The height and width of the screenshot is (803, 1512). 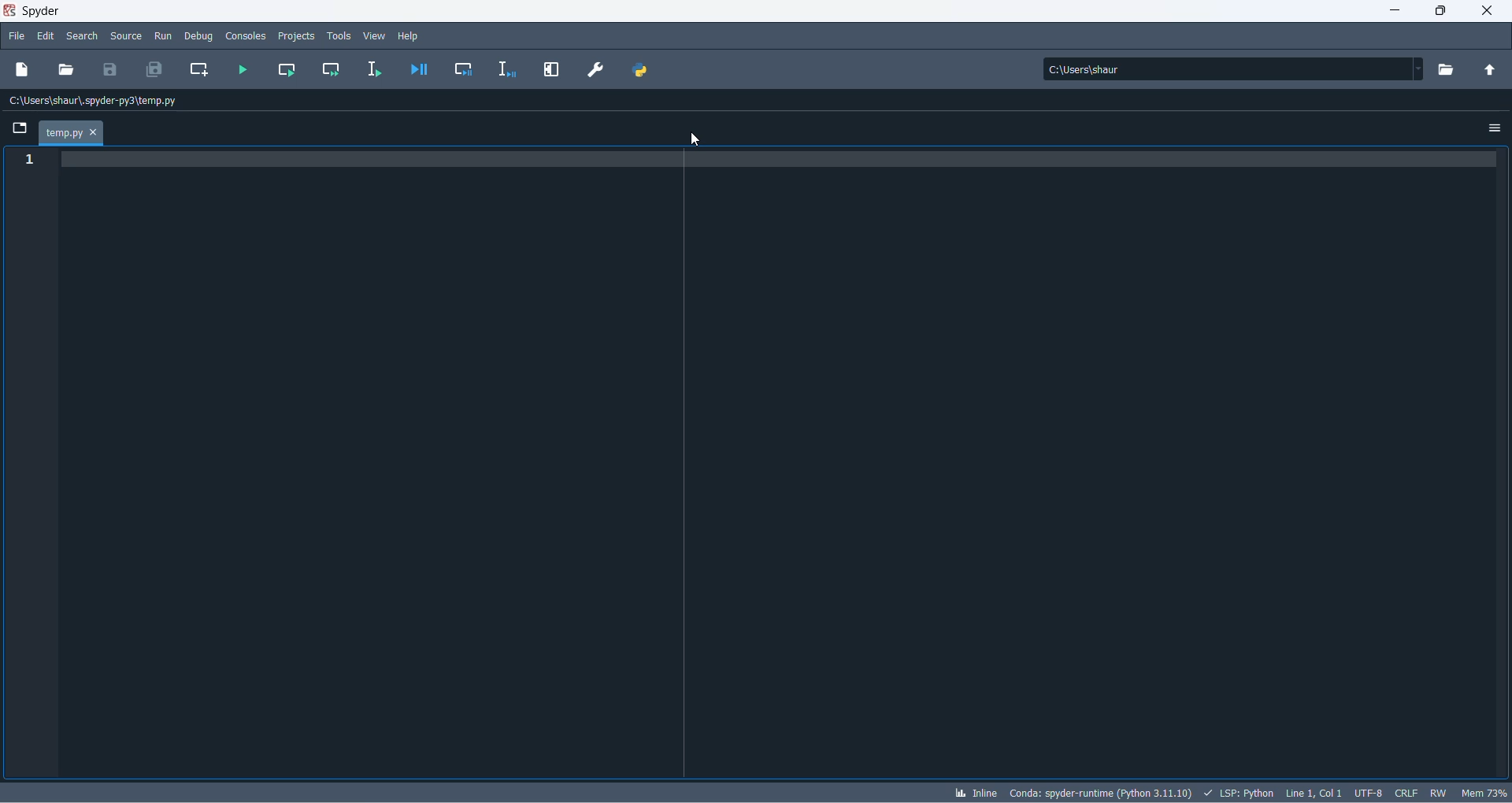 What do you see at coordinates (67, 71) in the screenshot?
I see `open ` at bounding box center [67, 71].